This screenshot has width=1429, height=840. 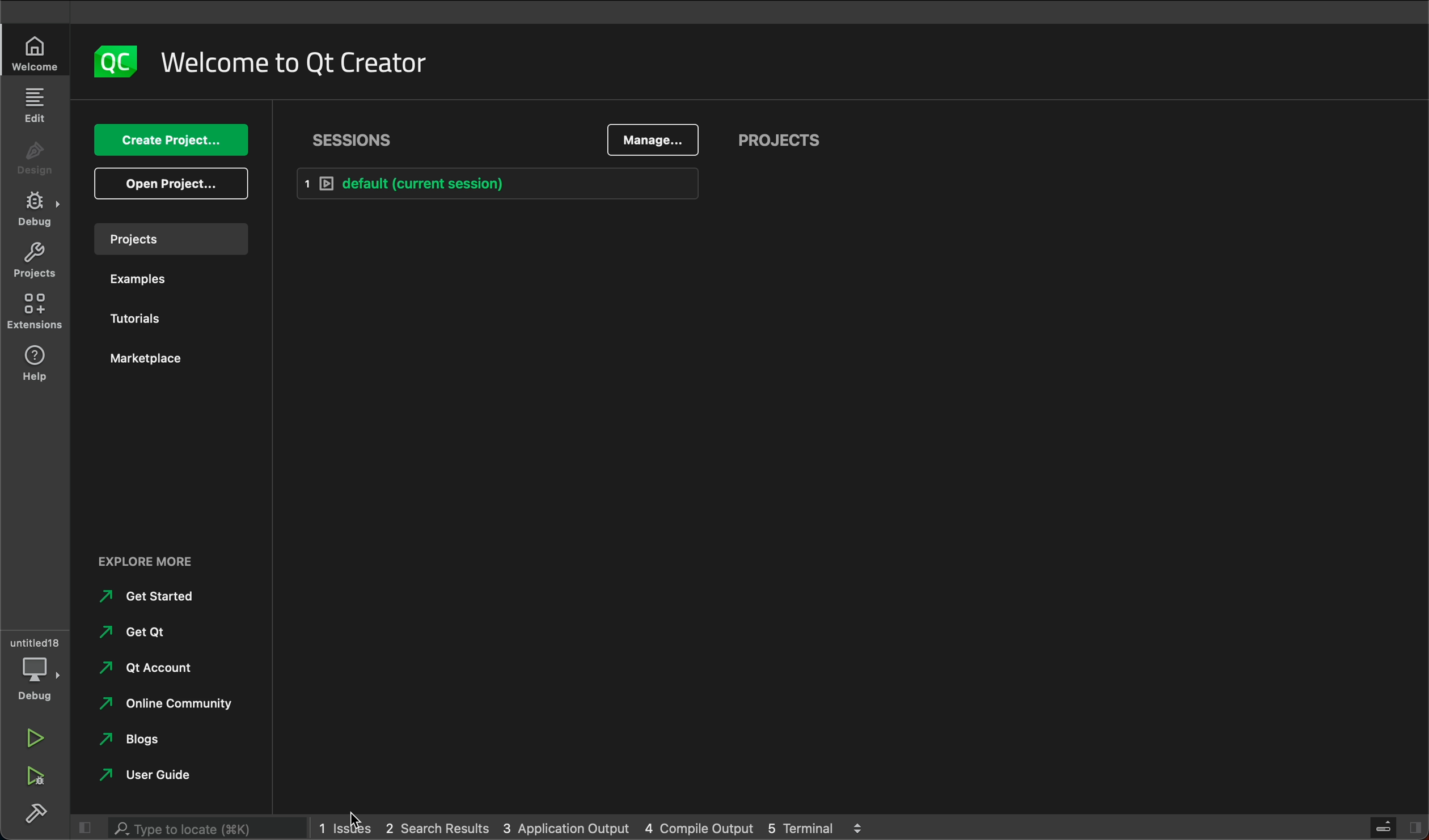 I want to click on debug, so click(x=33, y=687).